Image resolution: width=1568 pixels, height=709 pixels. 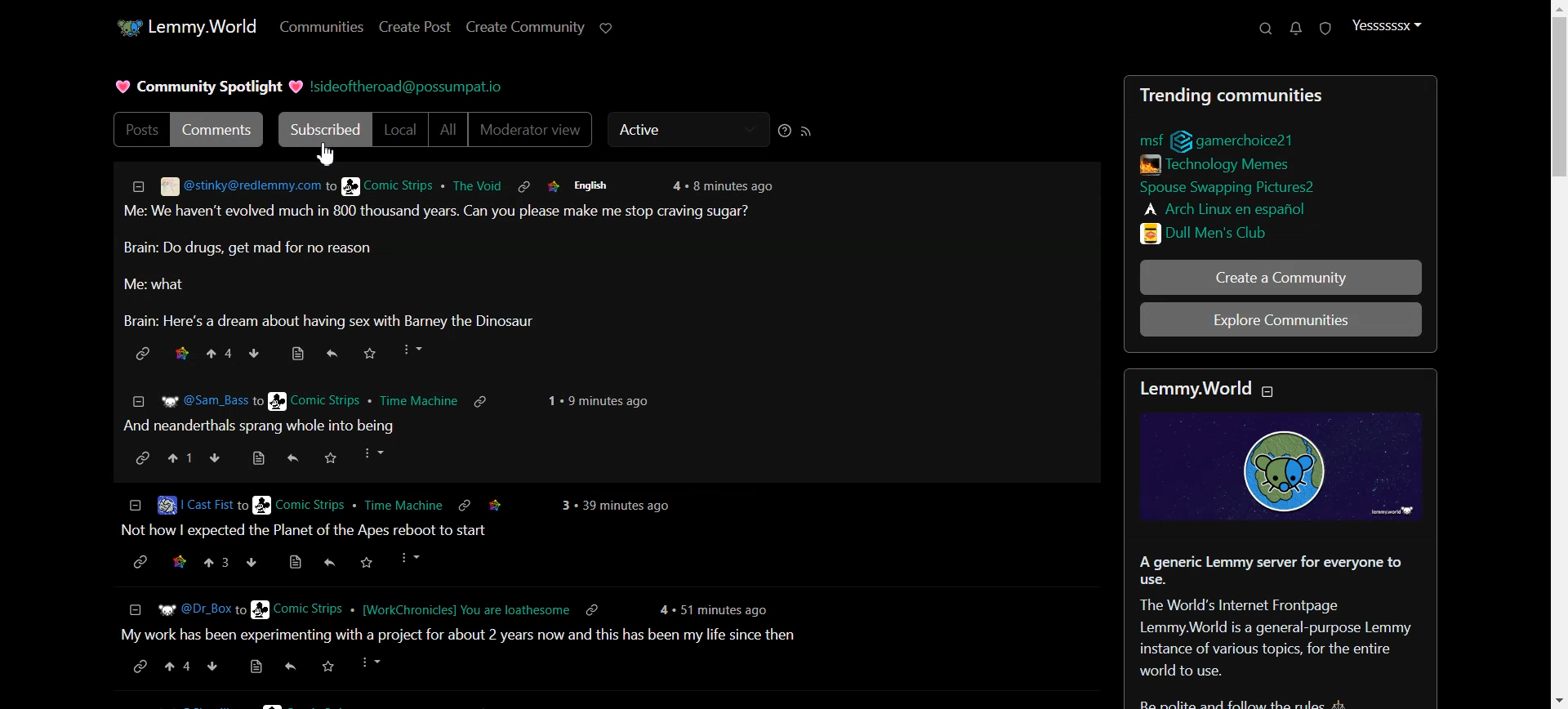 What do you see at coordinates (331, 564) in the screenshot?
I see `share` at bounding box center [331, 564].